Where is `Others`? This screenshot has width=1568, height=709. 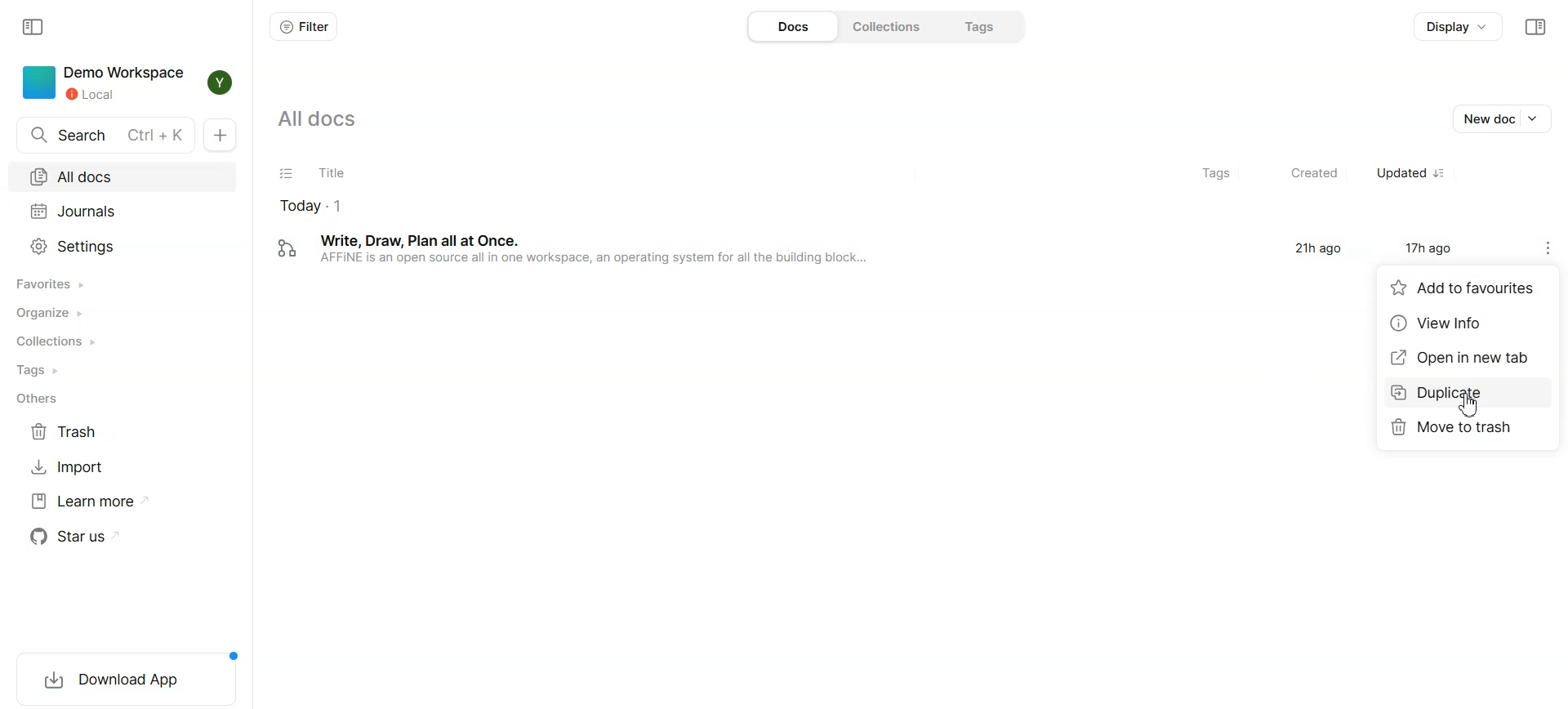 Others is located at coordinates (124, 399).